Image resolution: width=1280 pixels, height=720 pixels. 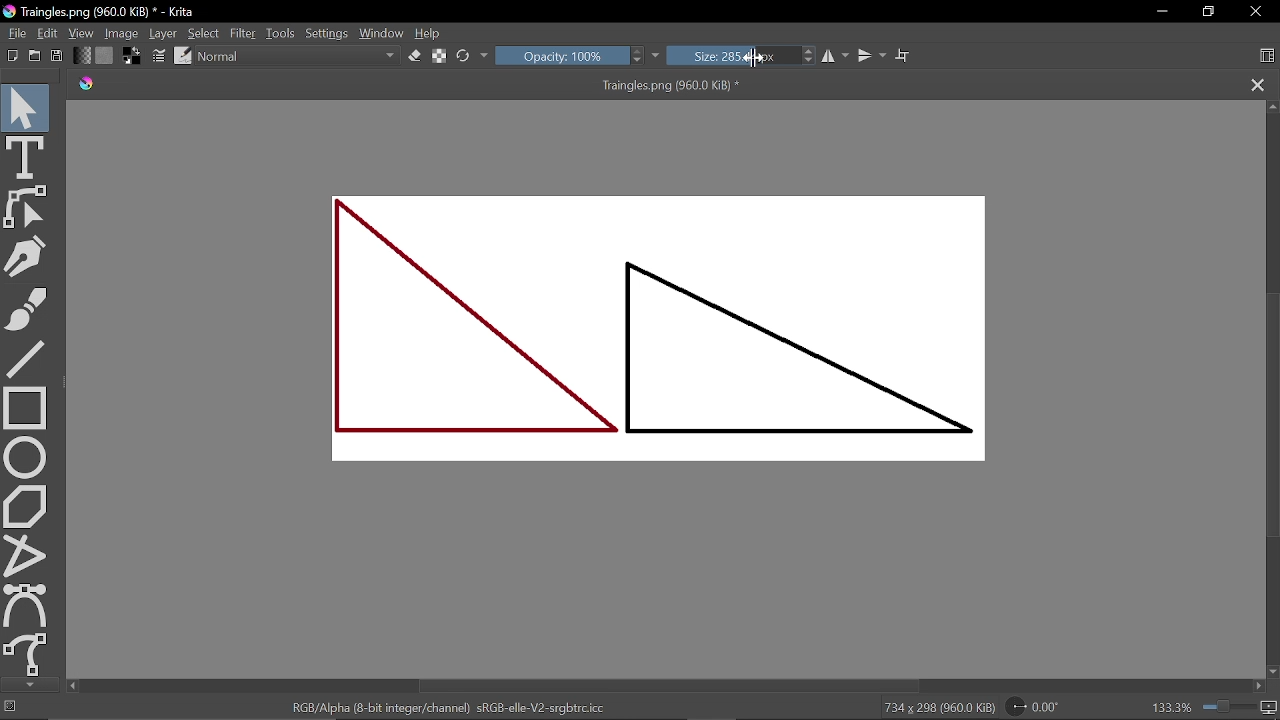 What do you see at coordinates (414, 56) in the screenshot?
I see `Set eraser mode` at bounding box center [414, 56].